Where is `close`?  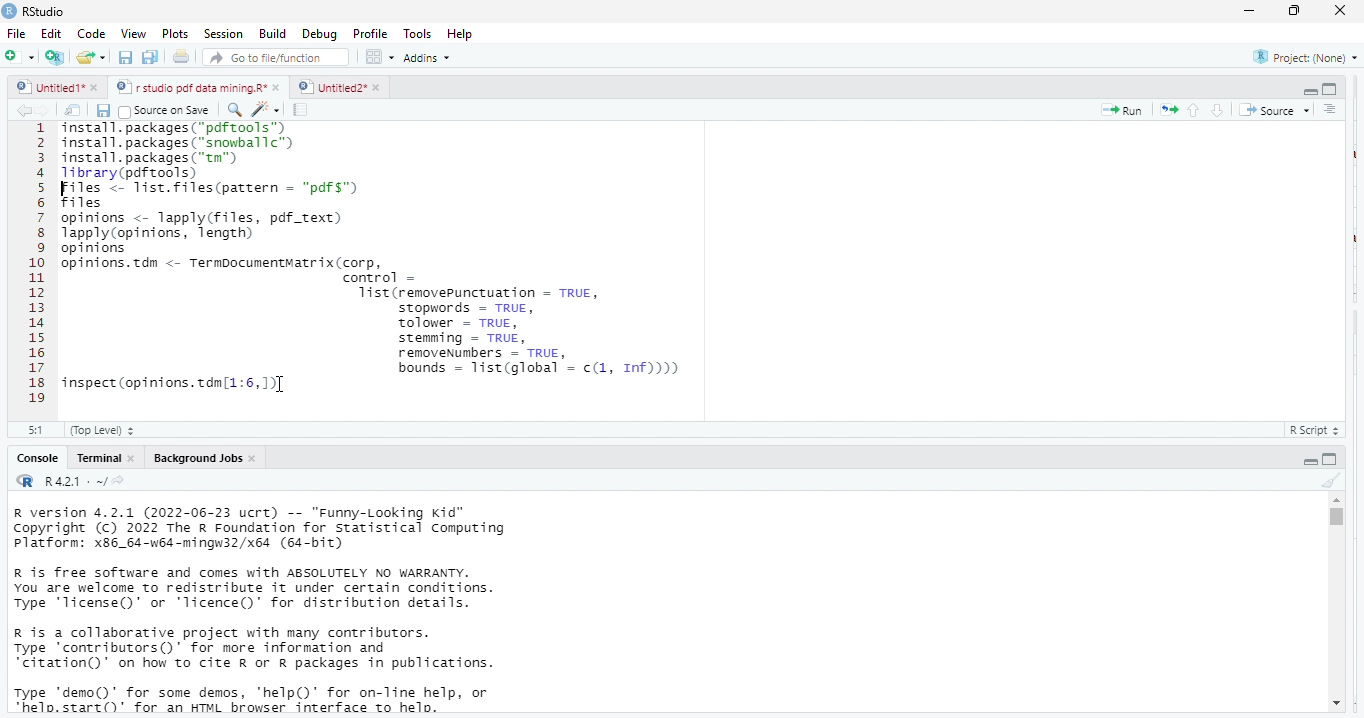 close is located at coordinates (132, 458).